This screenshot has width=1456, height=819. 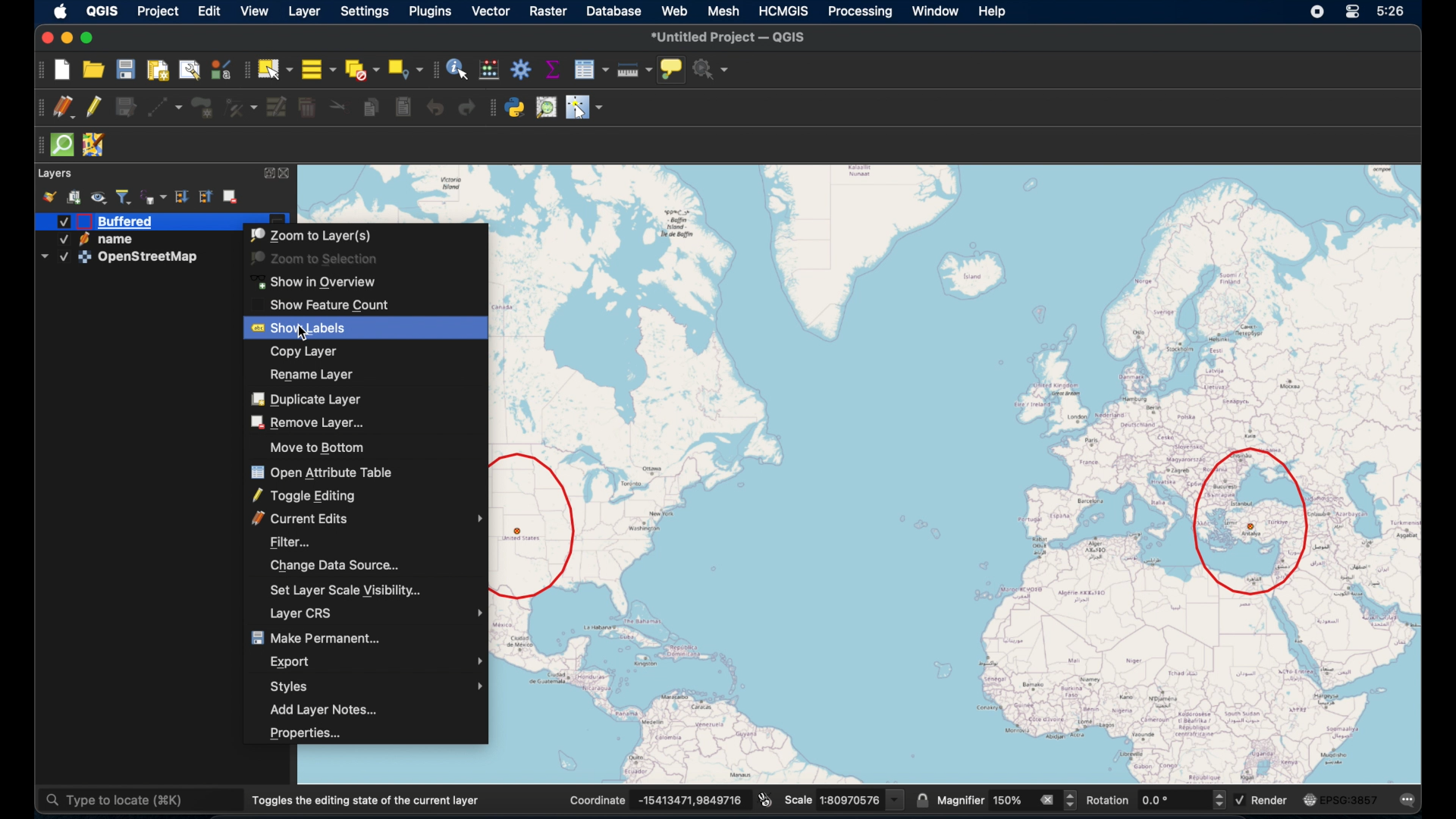 I want to click on help, so click(x=999, y=13).